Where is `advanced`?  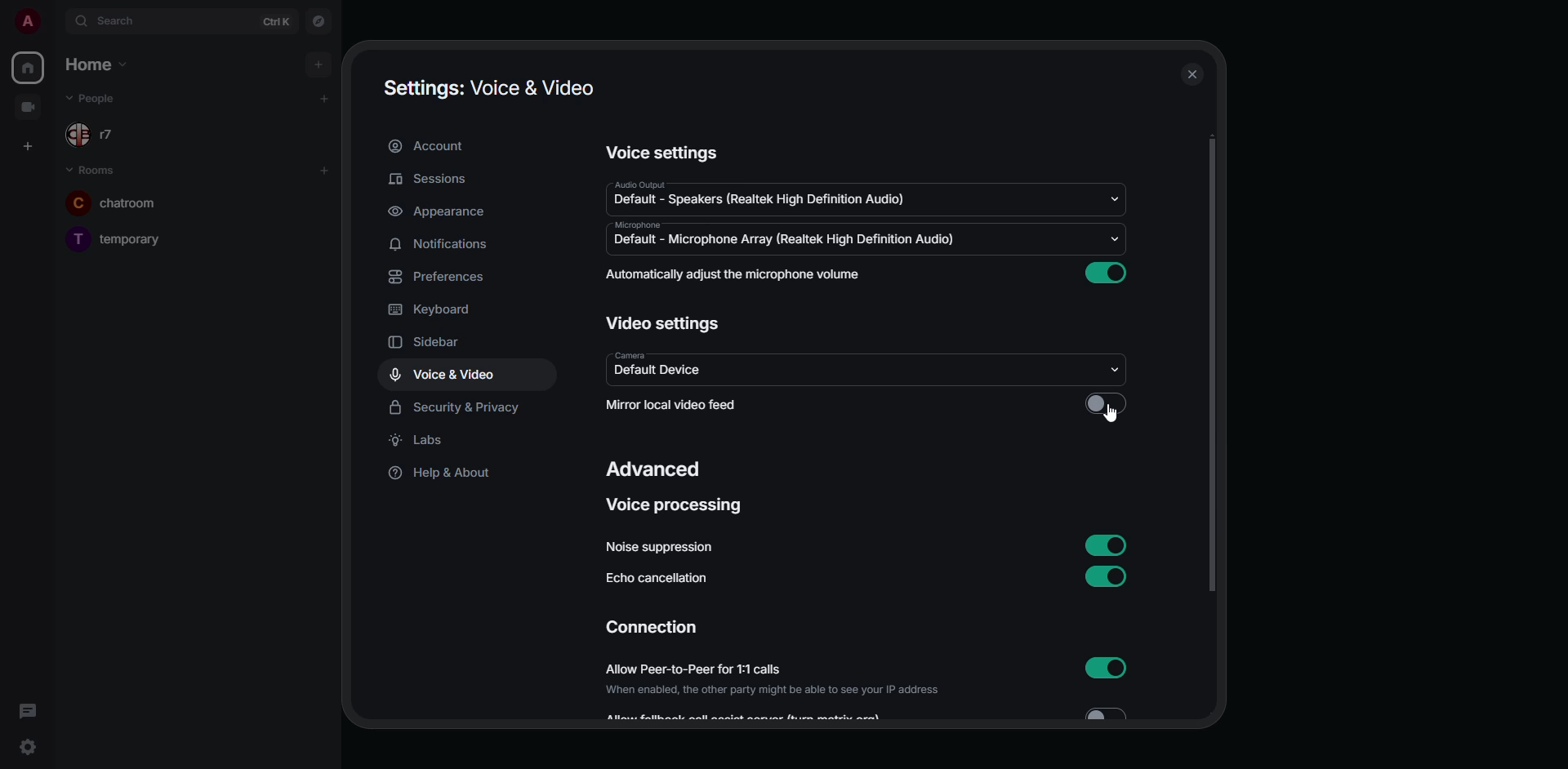
advanced is located at coordinates (657, 468).